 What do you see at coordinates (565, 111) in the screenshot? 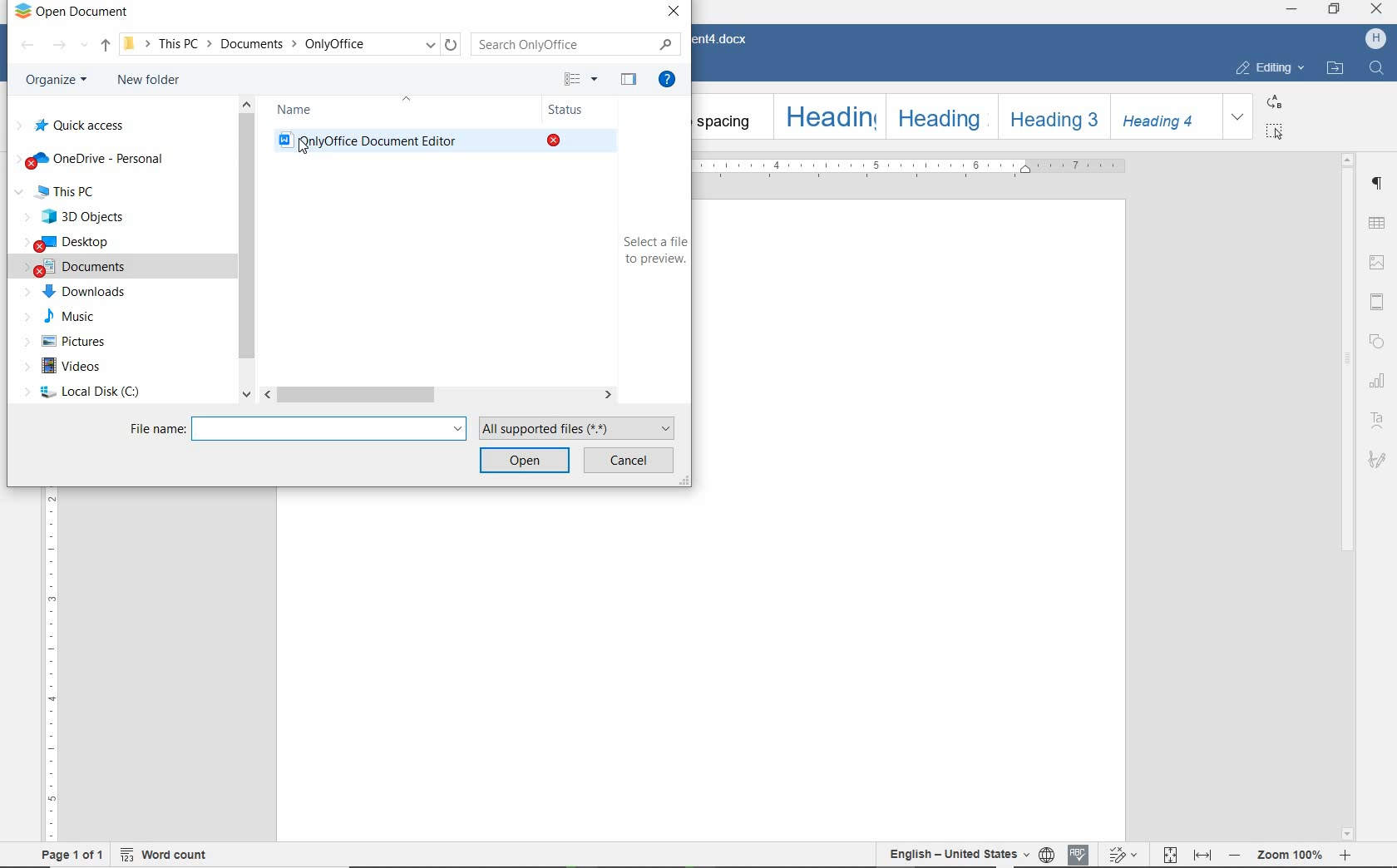
I see `status` at bounding box center [565, 111].